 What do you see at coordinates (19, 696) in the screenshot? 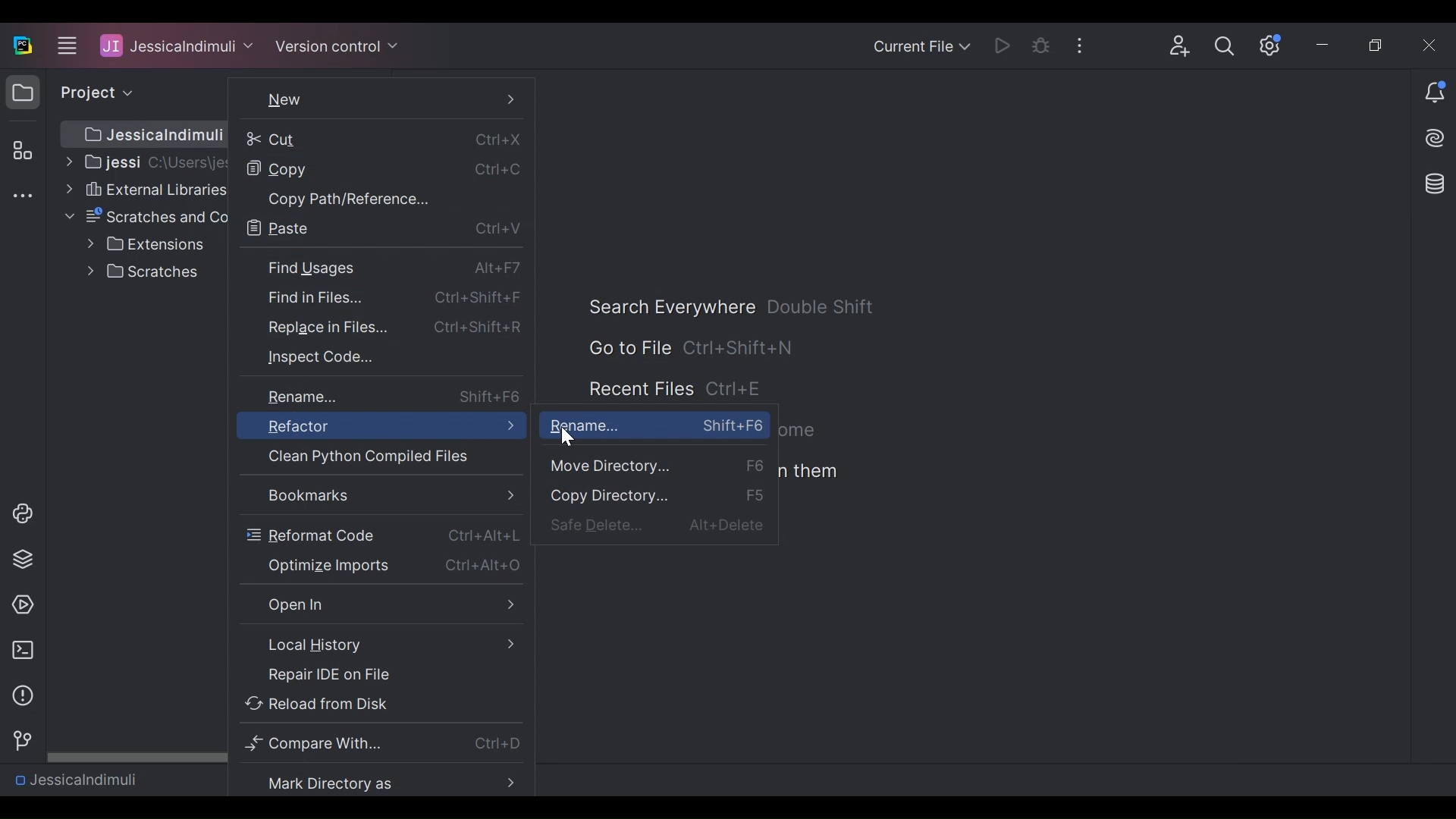
I see `information` at bounding box center [19, 696].